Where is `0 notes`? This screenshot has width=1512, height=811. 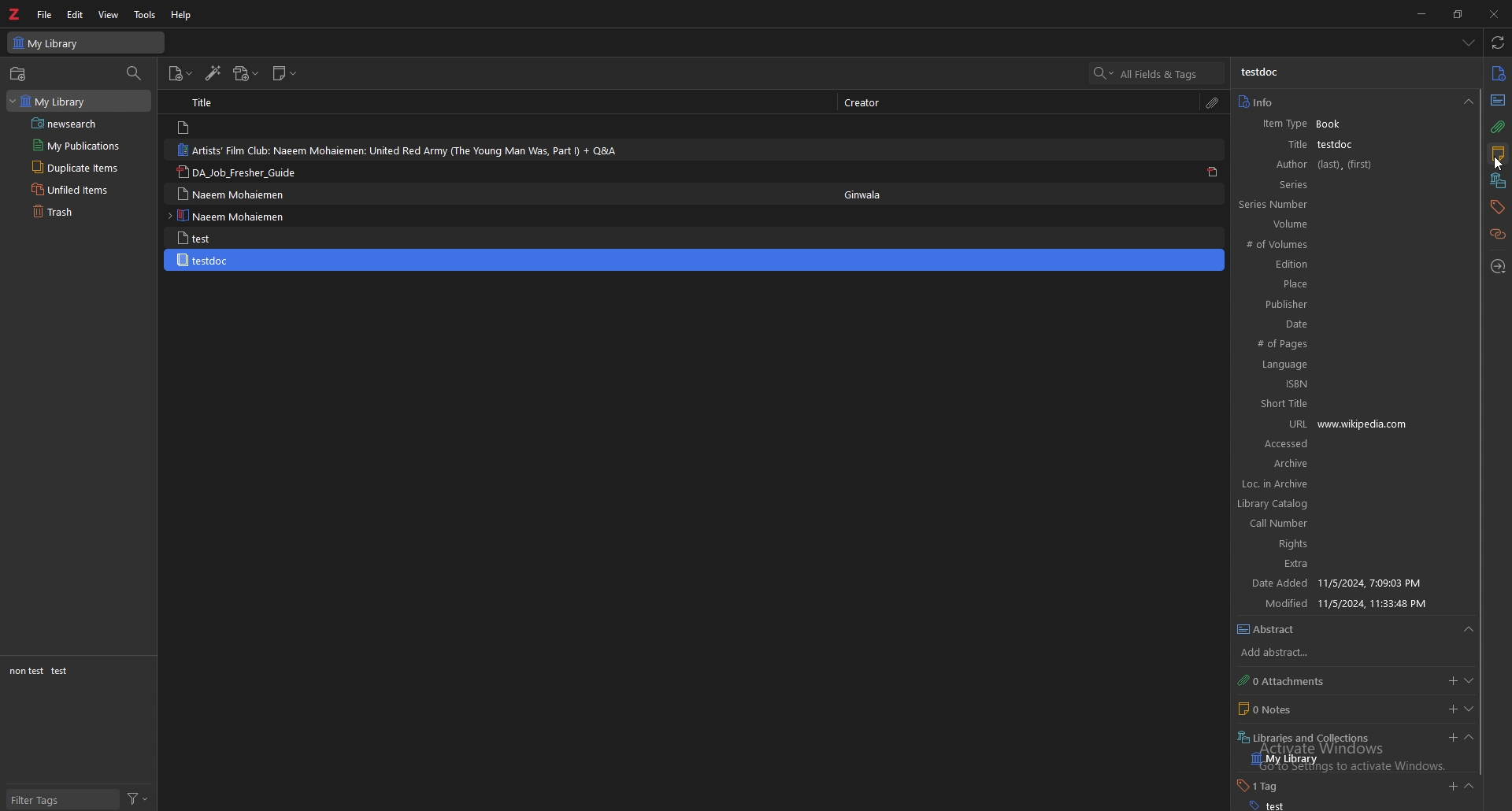 0 notes is located at coordinates (1284, 709).